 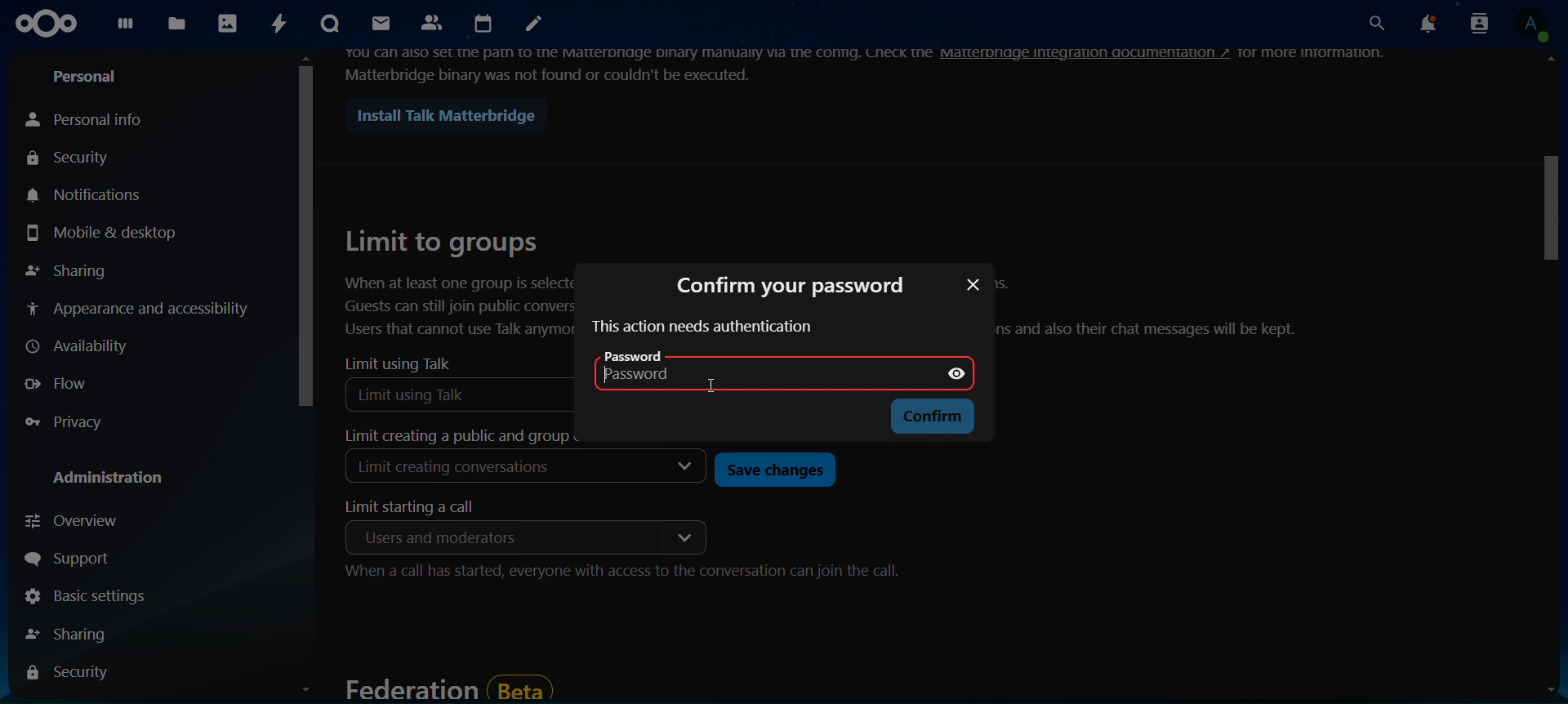 I want to click on limit creating a public and group conversation, so click(x=450, y=436).